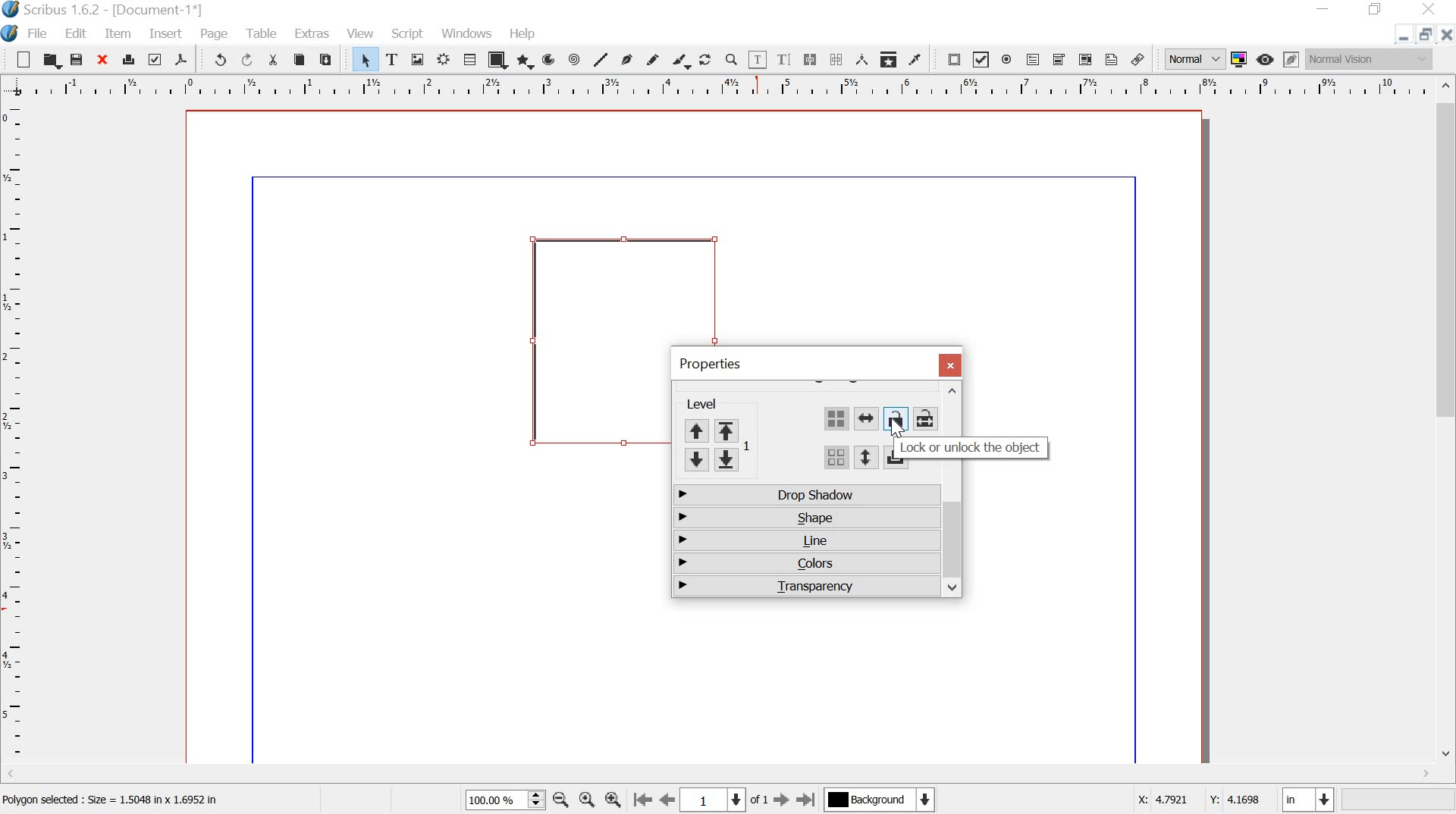 This screenshot has width=1456, height=814. What do you see at coordinates (14, 435) in the screenshot?
I see `ruler` at bounding box center [14, 435].